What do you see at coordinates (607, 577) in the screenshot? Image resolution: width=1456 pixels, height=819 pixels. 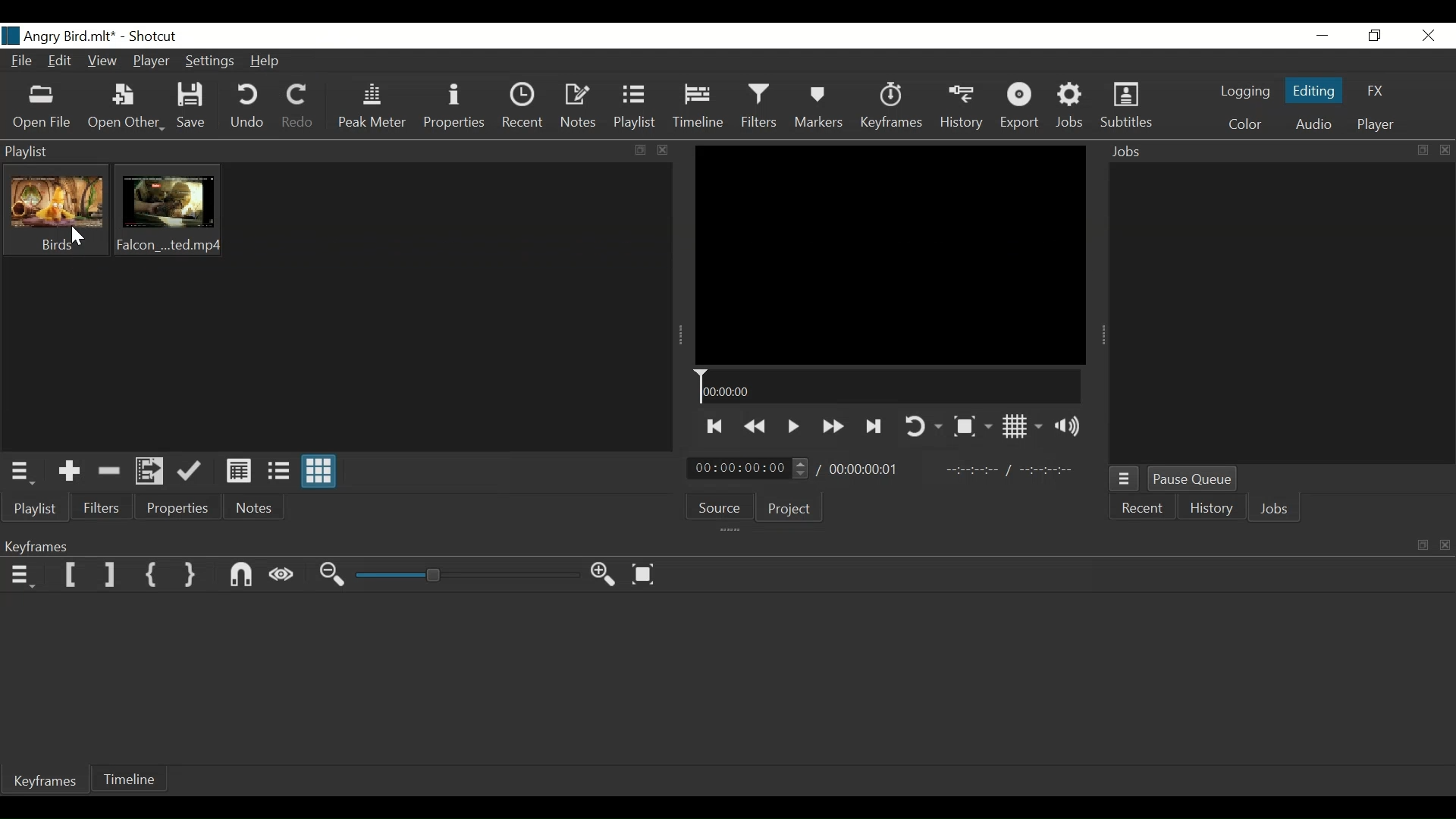 I see `Zoom keyframe in` at bounding box center [607, 577].